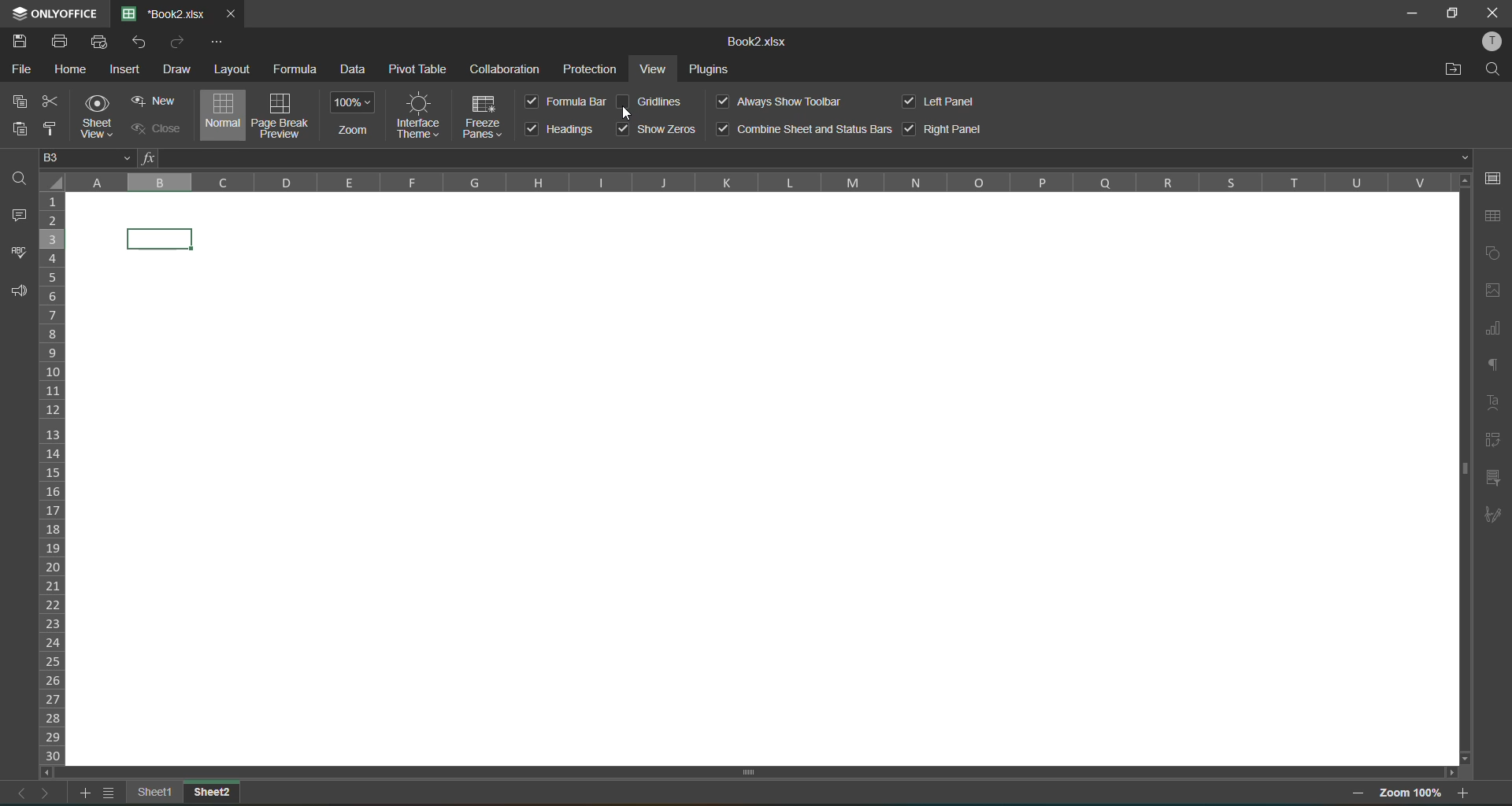  Describe the element at coordinates (1493, 252) in the screenshot. I see `shapes` at that location.